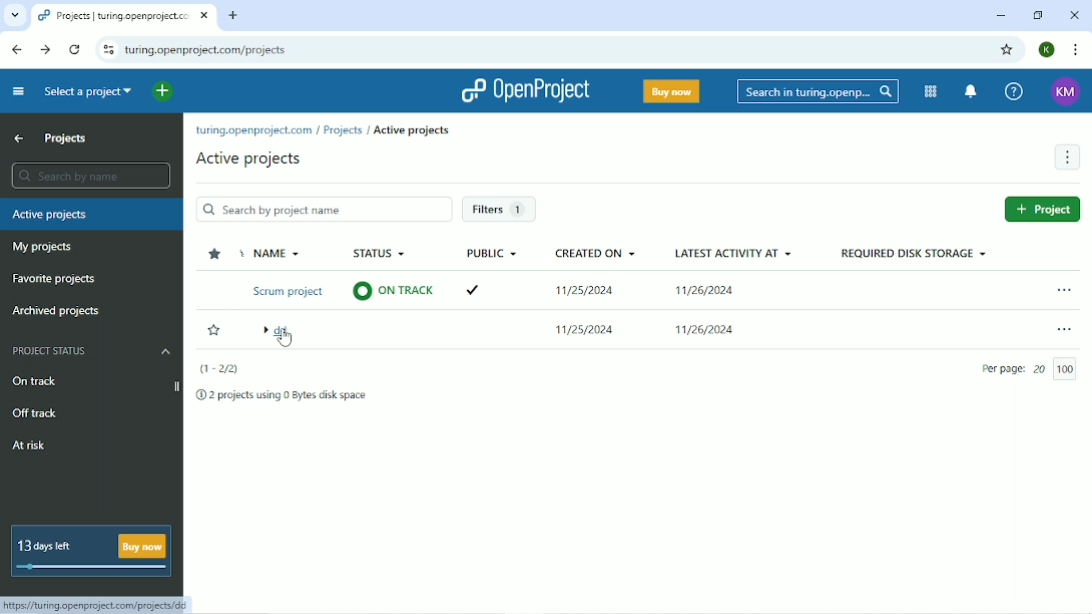  What do you see at coordinates (1076, 15) in the screenshot?
I see `Close` at bounding box center [1076, 15].